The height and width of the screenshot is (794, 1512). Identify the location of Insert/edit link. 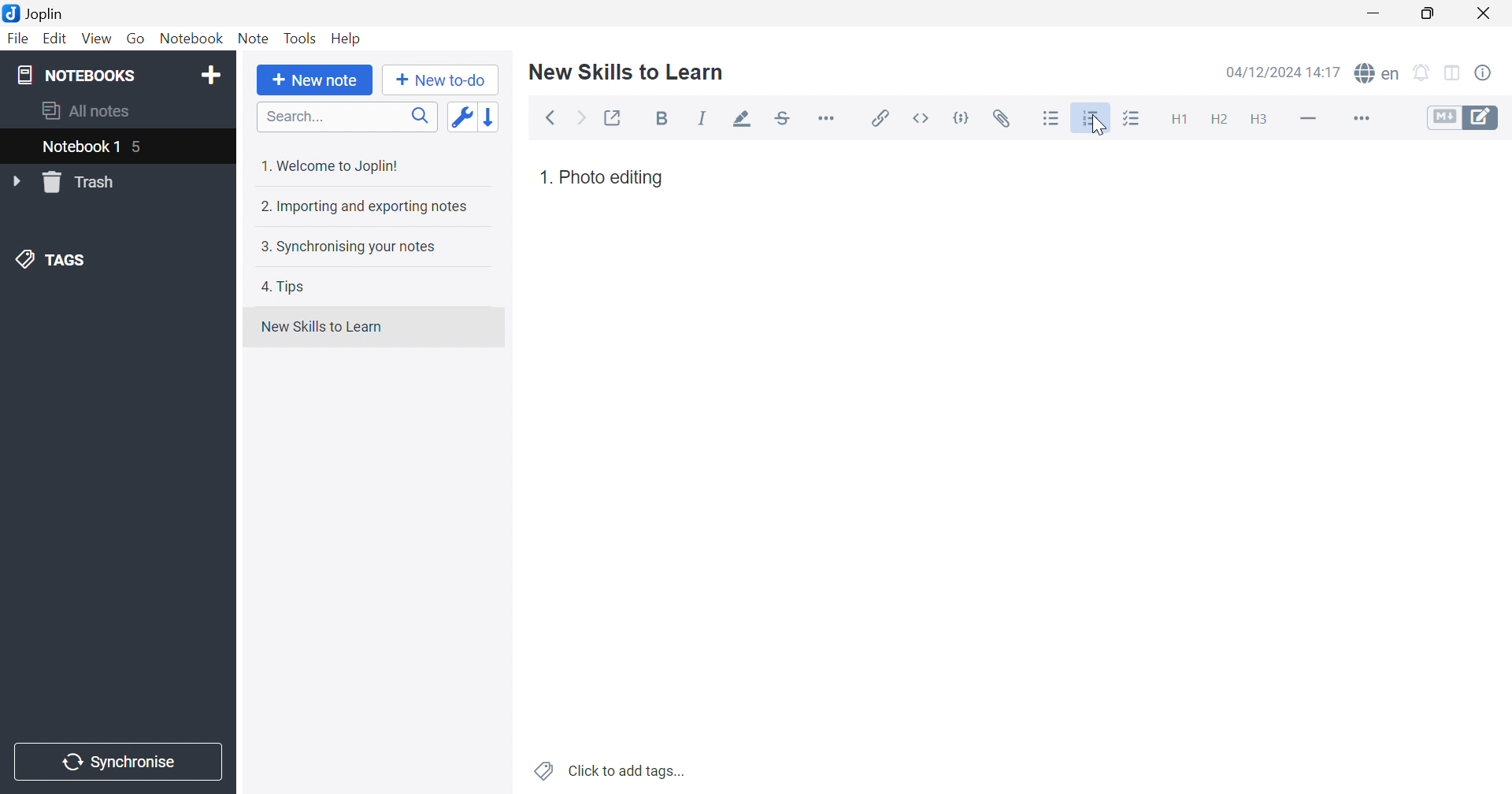
(878, 118).